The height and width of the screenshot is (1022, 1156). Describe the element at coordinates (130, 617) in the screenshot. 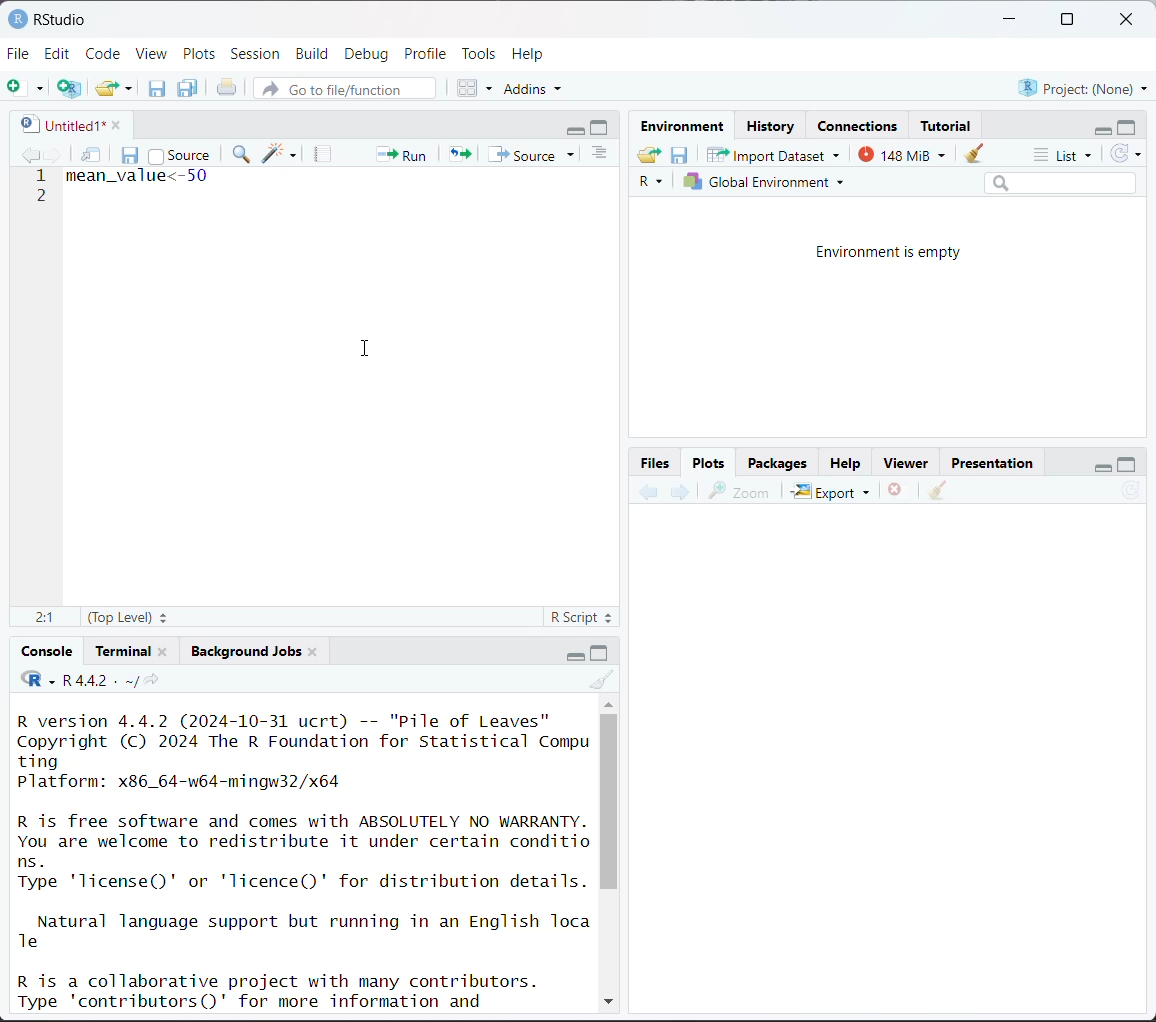

I see `(top level)` at that location.